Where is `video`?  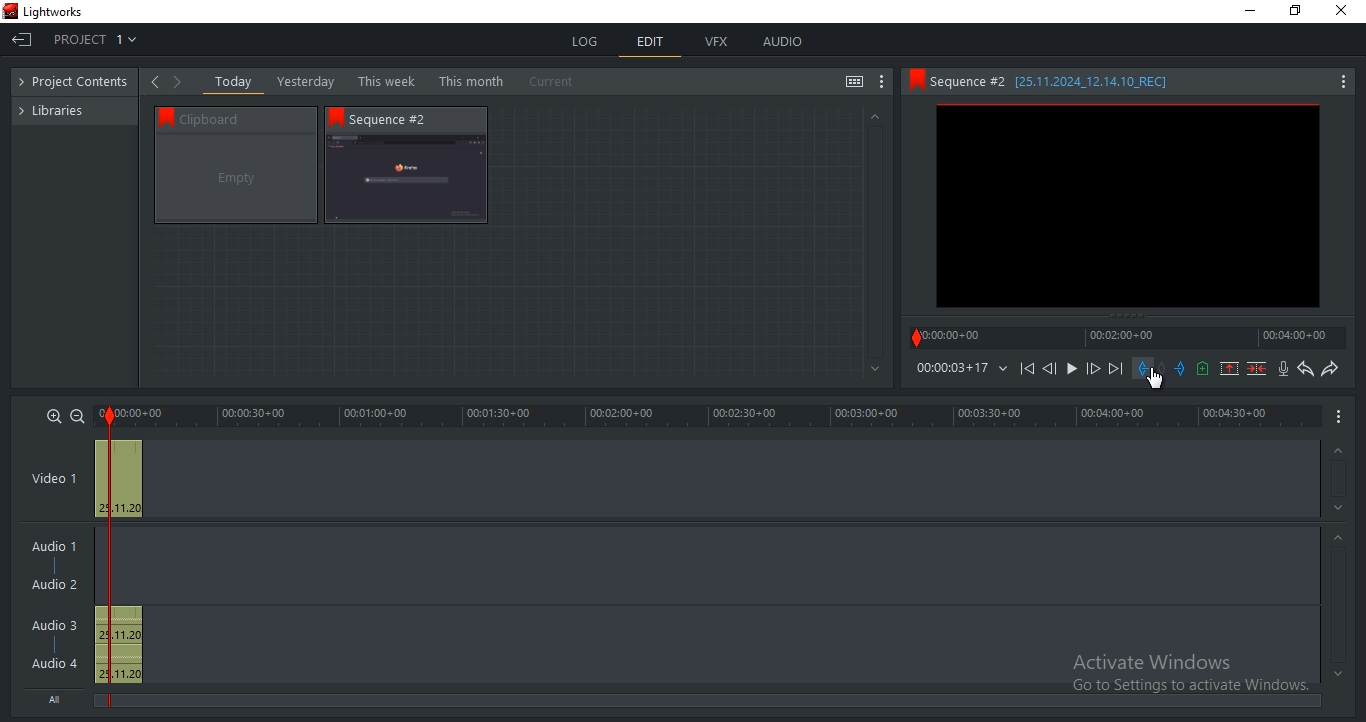
video is located at coordinates (119, 476).